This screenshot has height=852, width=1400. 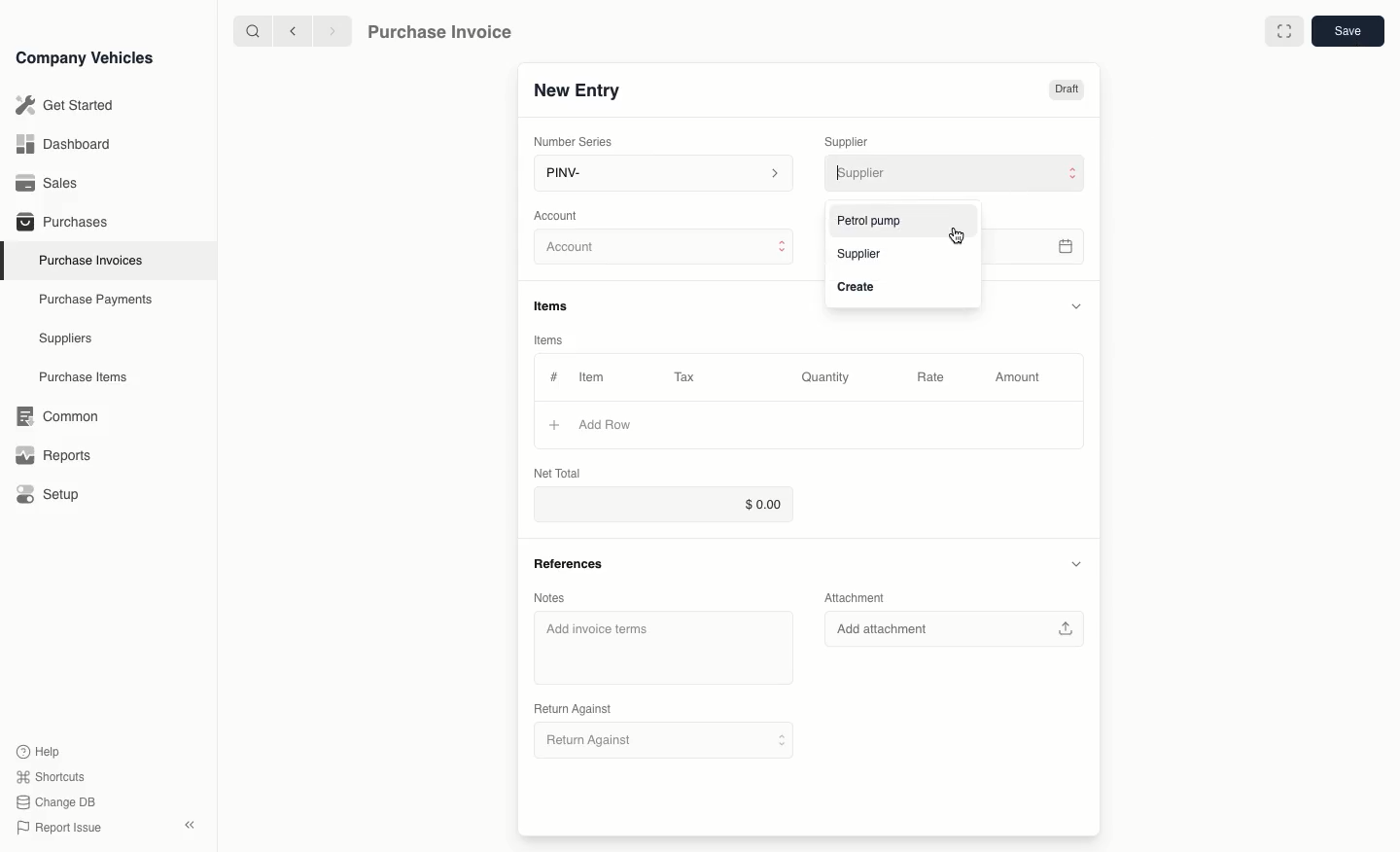 What do you see at coordinates (192, 823) in the screenshot?
I see `close sidebar` at bounding box center [192, 823].